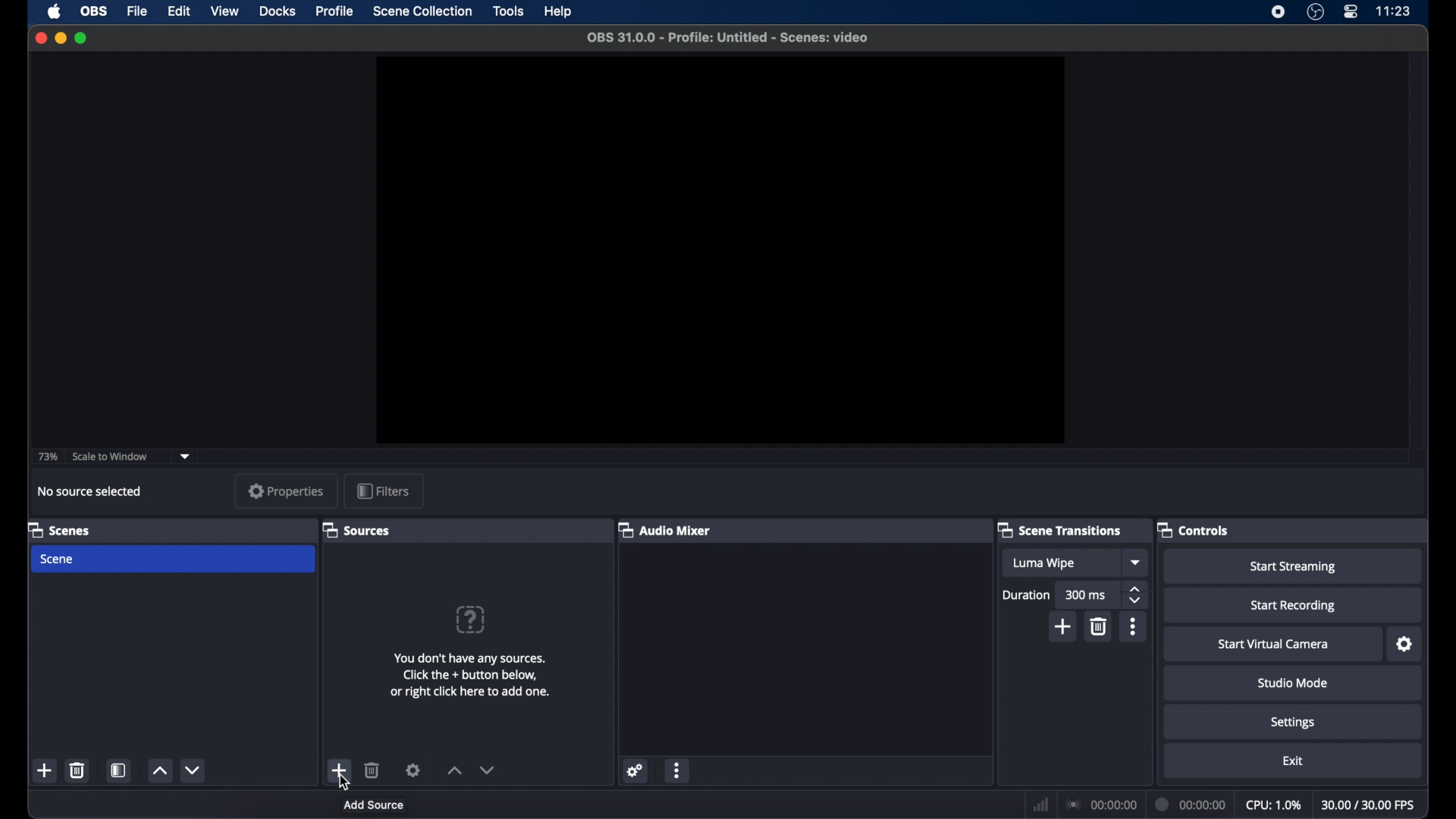 The width and height of the screenshot is (1456, 819). Describe the element at coordinates (470, 620) in the screenshot. I see `question mark icon` at that location.